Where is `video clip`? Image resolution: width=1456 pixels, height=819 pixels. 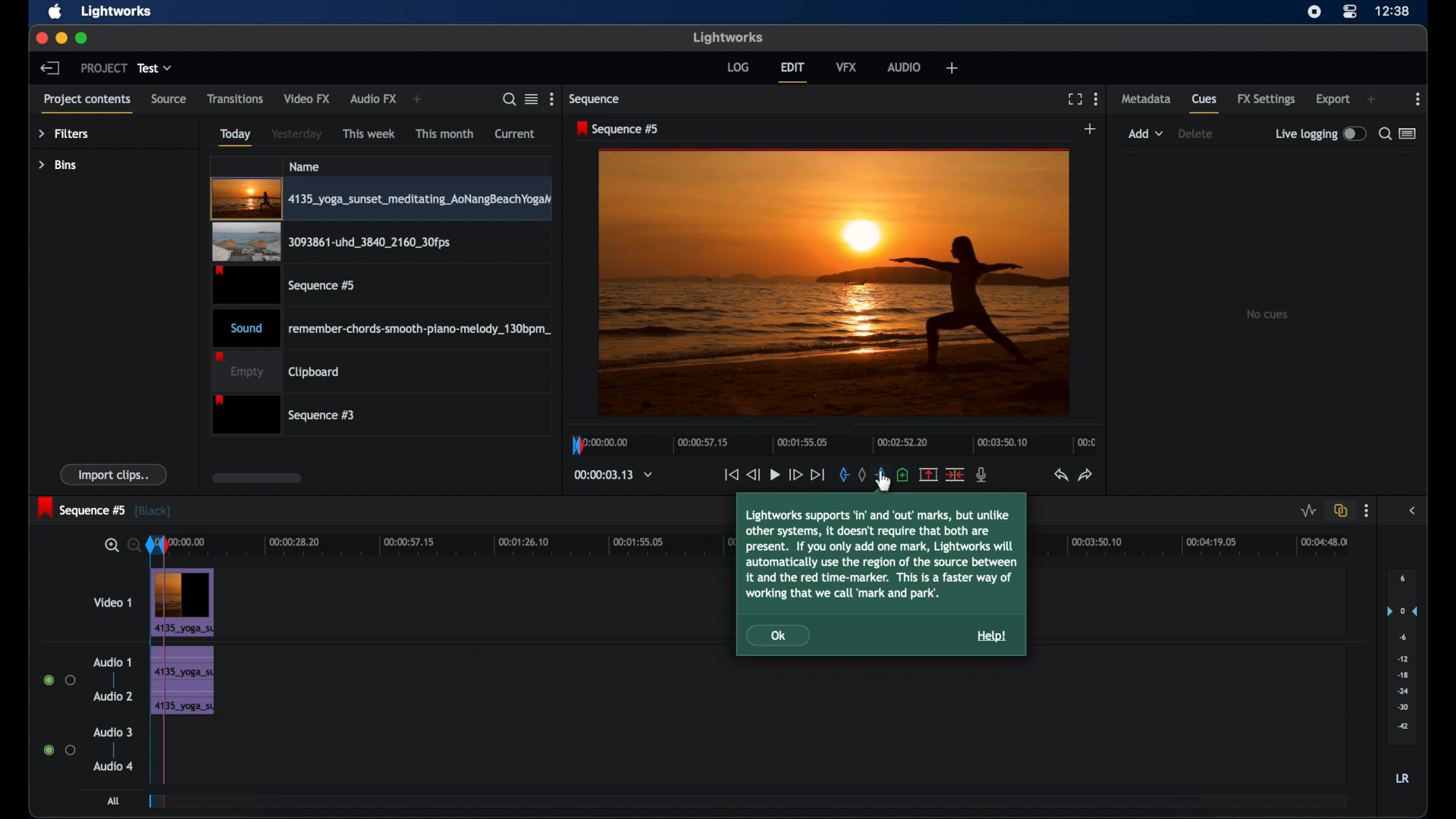 video clip is located at coordinates (381, 199).